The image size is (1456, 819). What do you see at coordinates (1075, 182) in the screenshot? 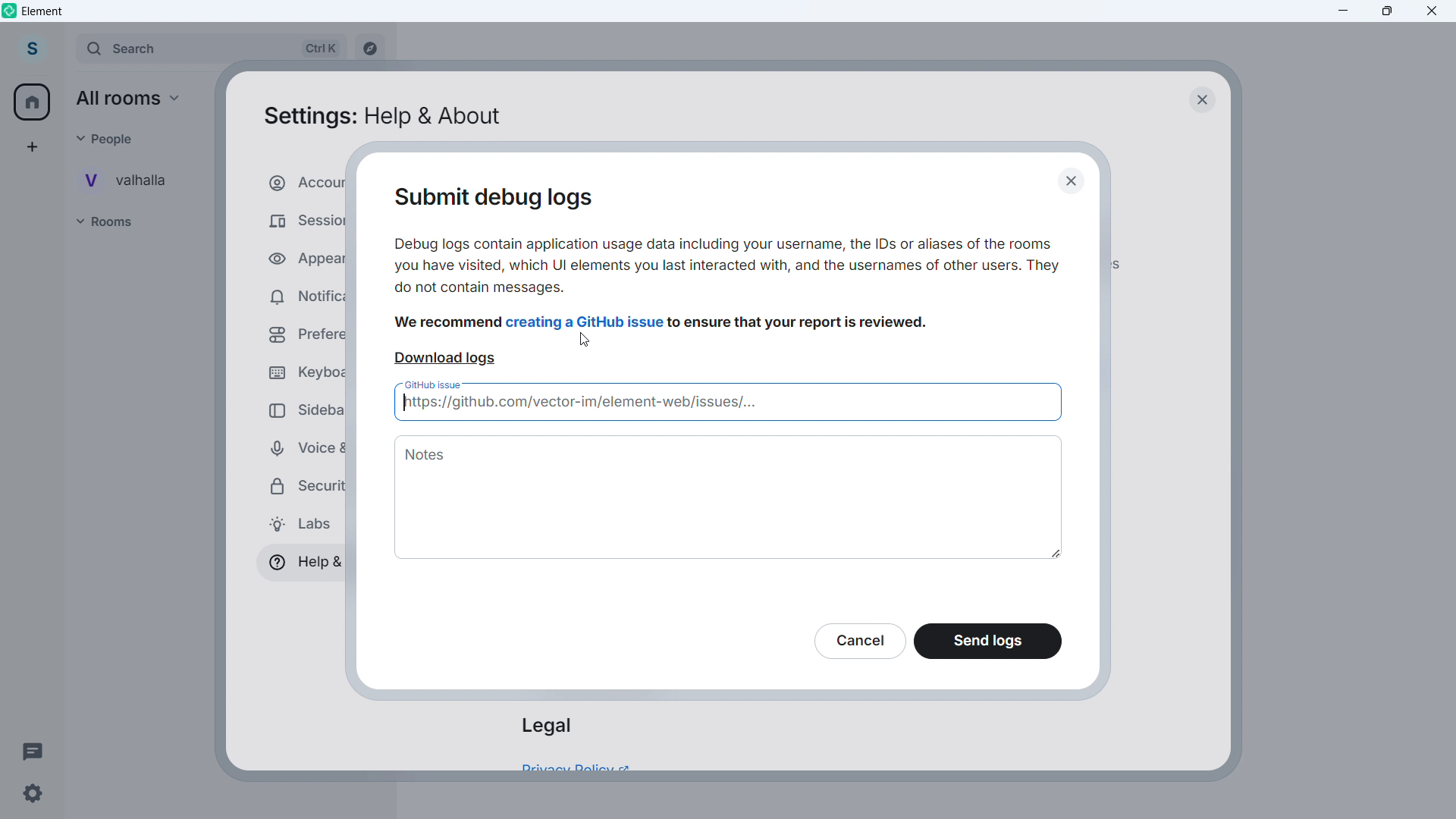
I see `Close ` at bounding box center [1075, 182].